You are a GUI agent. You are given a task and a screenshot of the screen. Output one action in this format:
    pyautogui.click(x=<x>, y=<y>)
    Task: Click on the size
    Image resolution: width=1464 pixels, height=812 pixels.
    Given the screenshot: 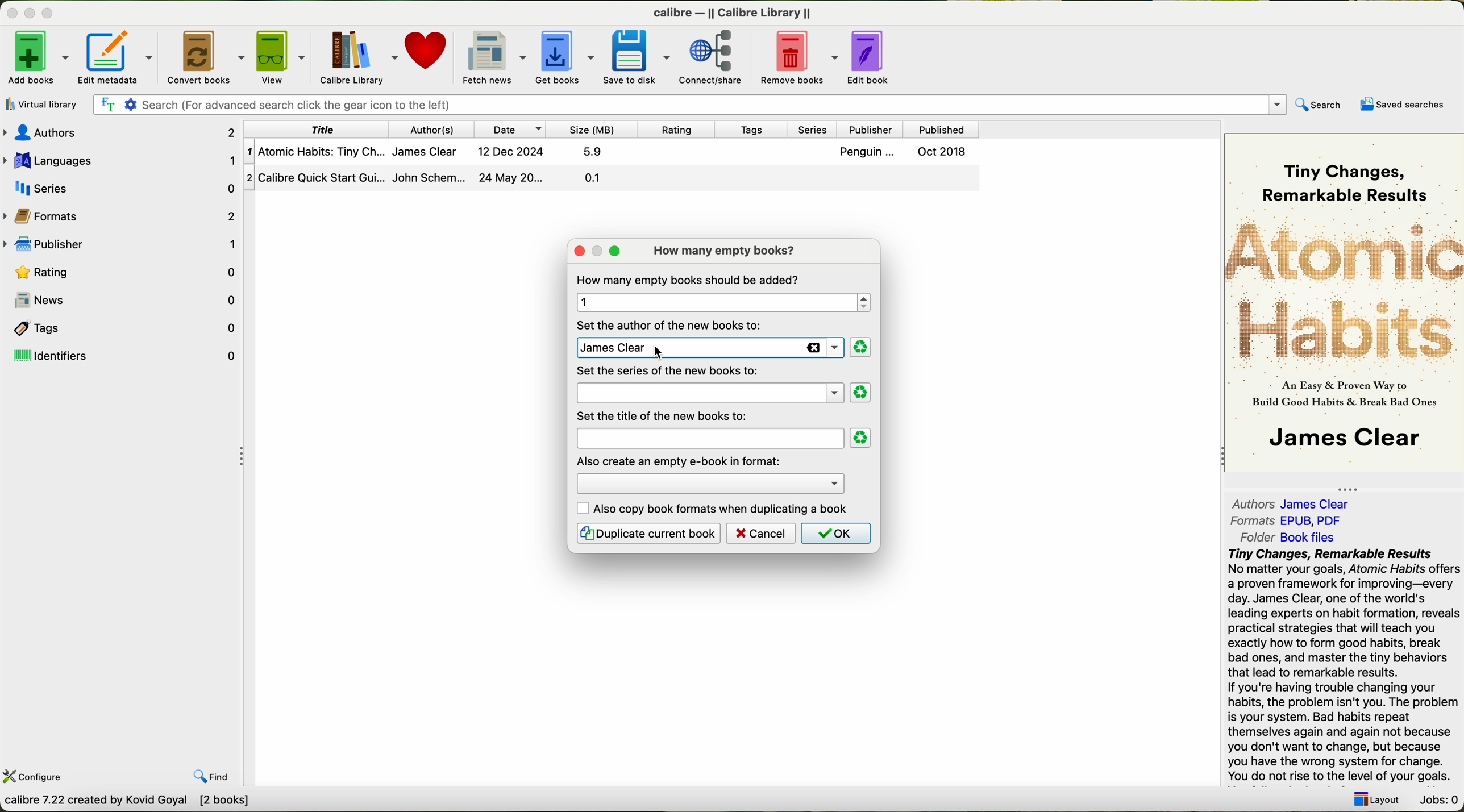 What is the action you would take?
    pyautogui.click(x=593, y=130)
    